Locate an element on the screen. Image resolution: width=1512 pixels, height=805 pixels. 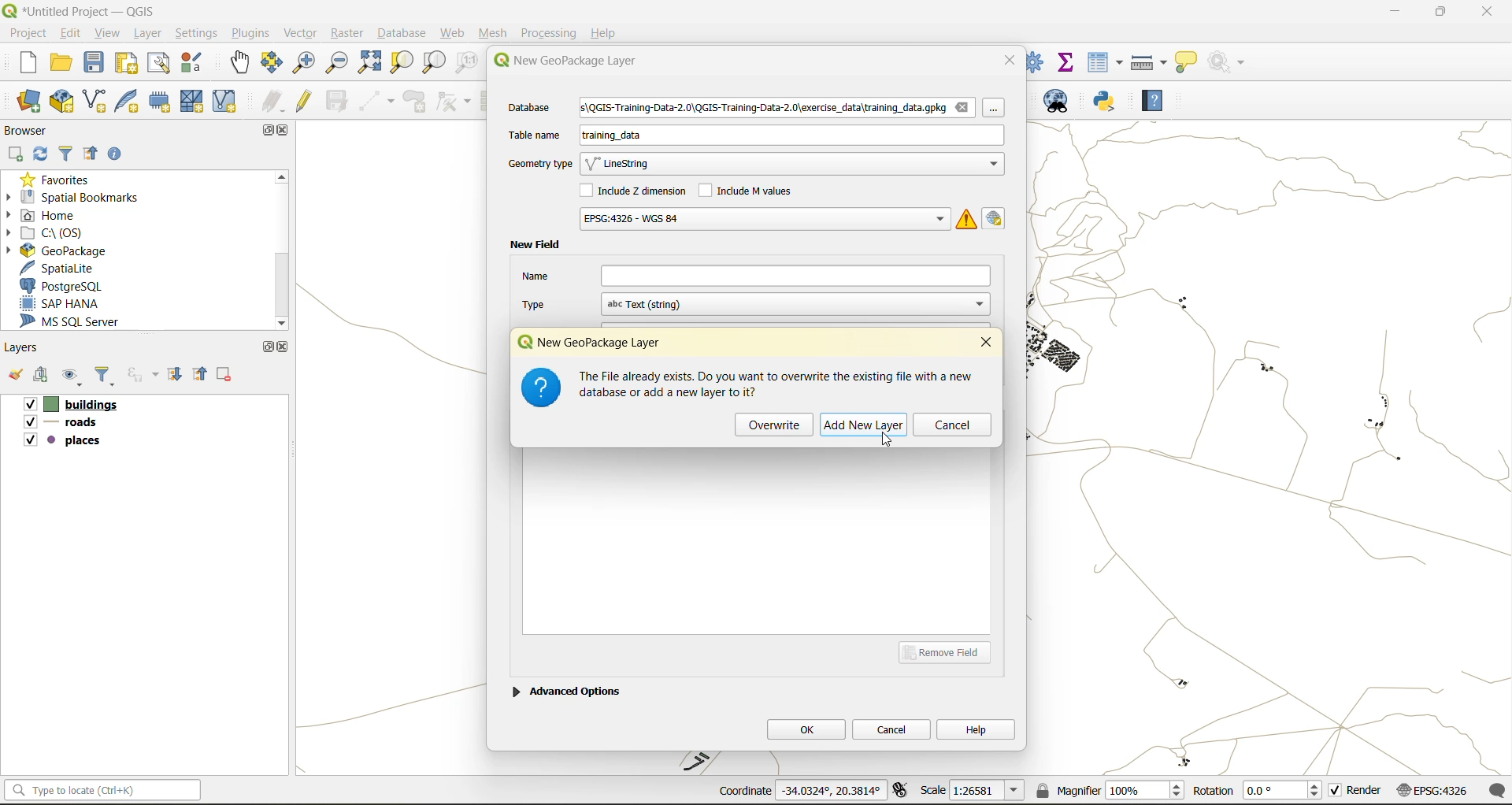
filter is located at coordinates (66, 155).